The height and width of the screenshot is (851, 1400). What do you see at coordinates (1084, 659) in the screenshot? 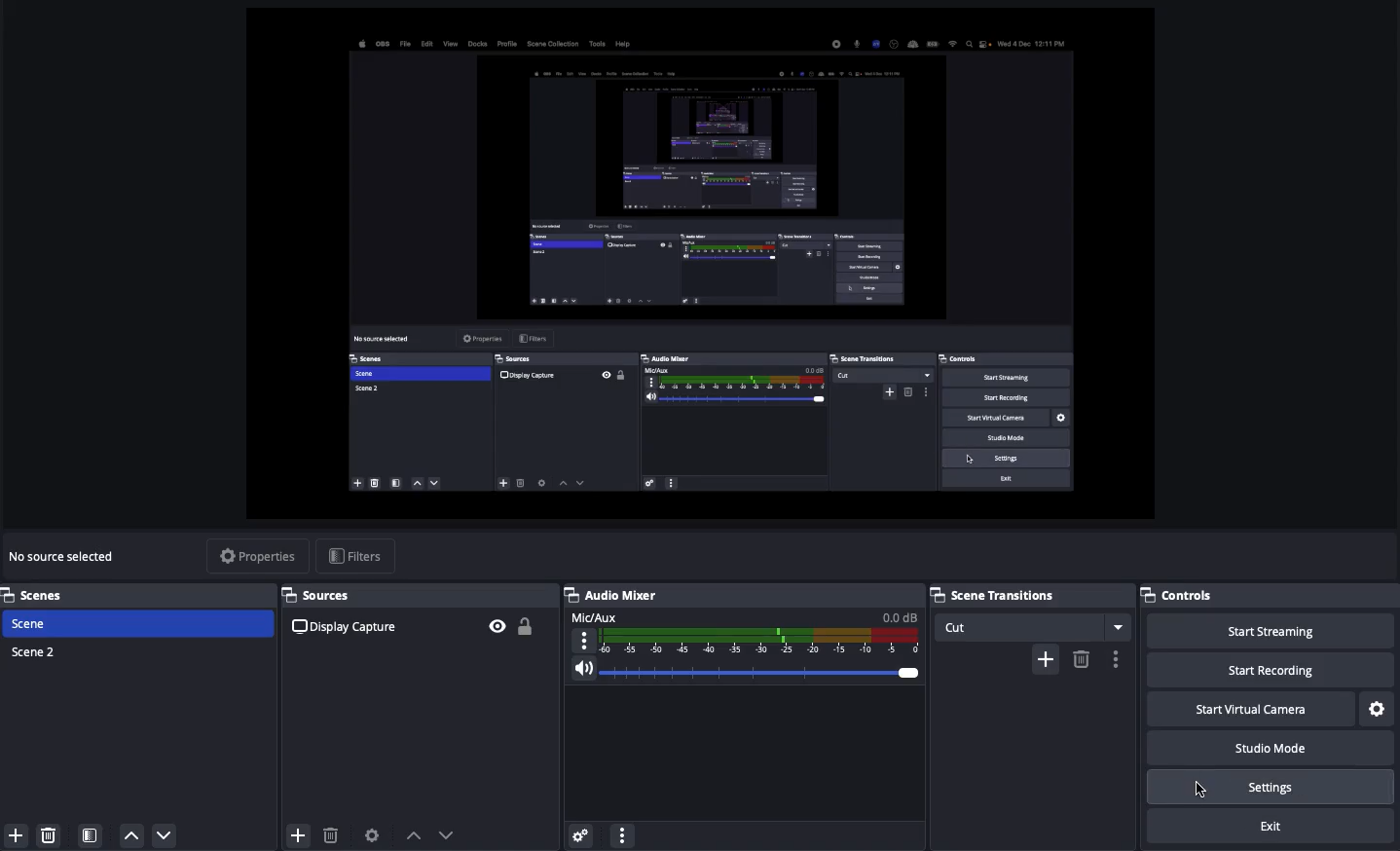
I see `Remove` at bounding box center [1084, 659].